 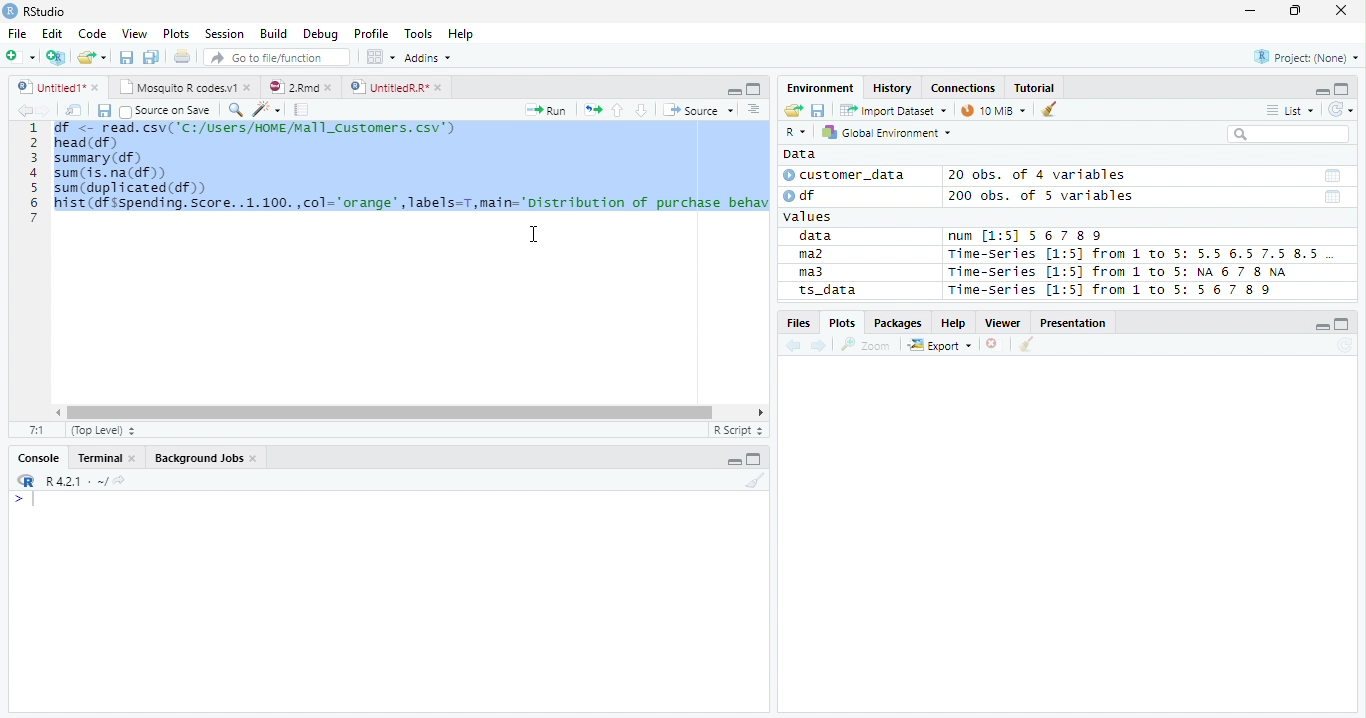 I want to click on View Current work directory, so click(x=121, y=480).